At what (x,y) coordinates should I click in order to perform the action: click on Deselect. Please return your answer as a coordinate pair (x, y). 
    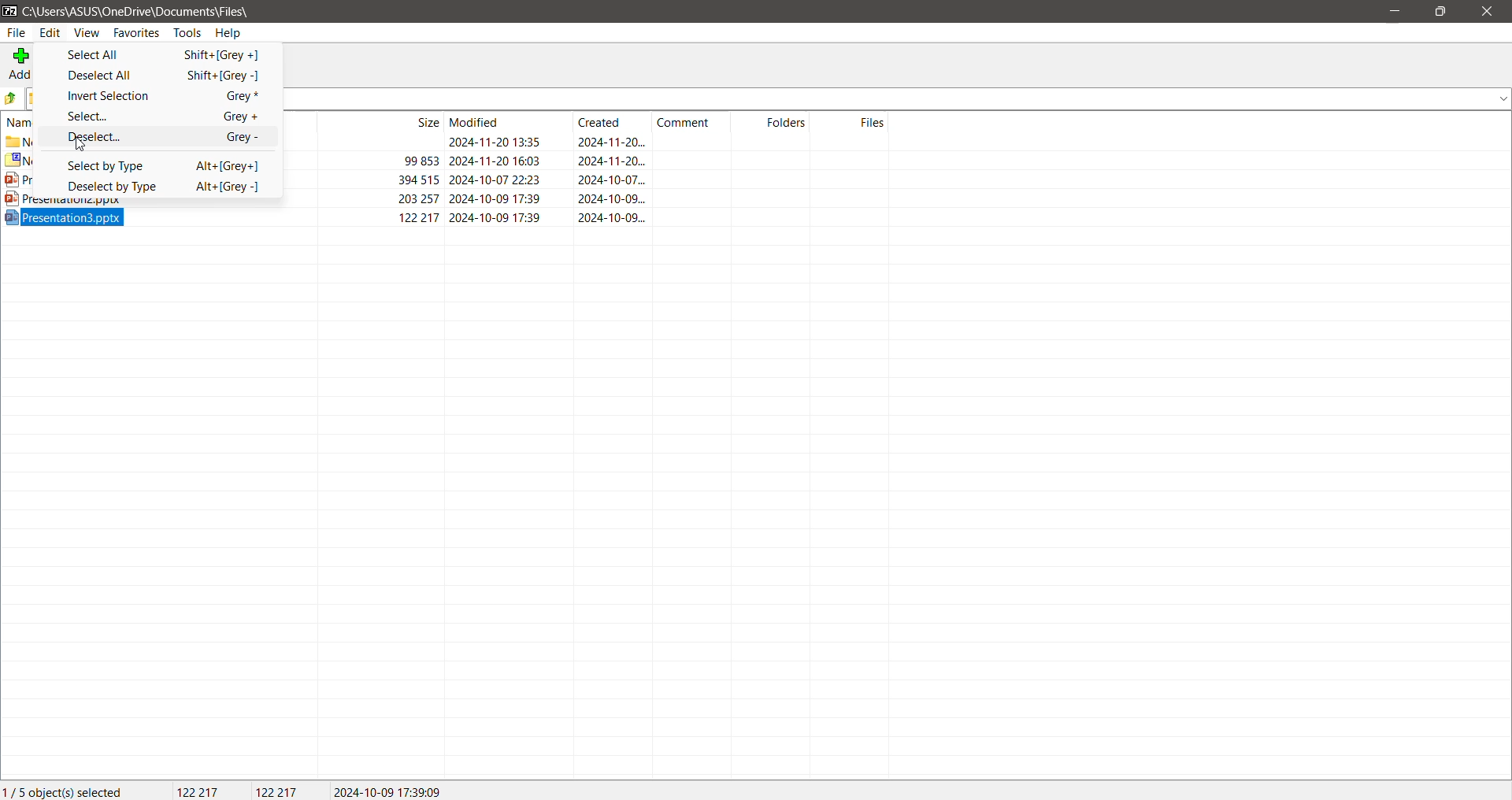
    Looking at the image, I should click on (114, 137).